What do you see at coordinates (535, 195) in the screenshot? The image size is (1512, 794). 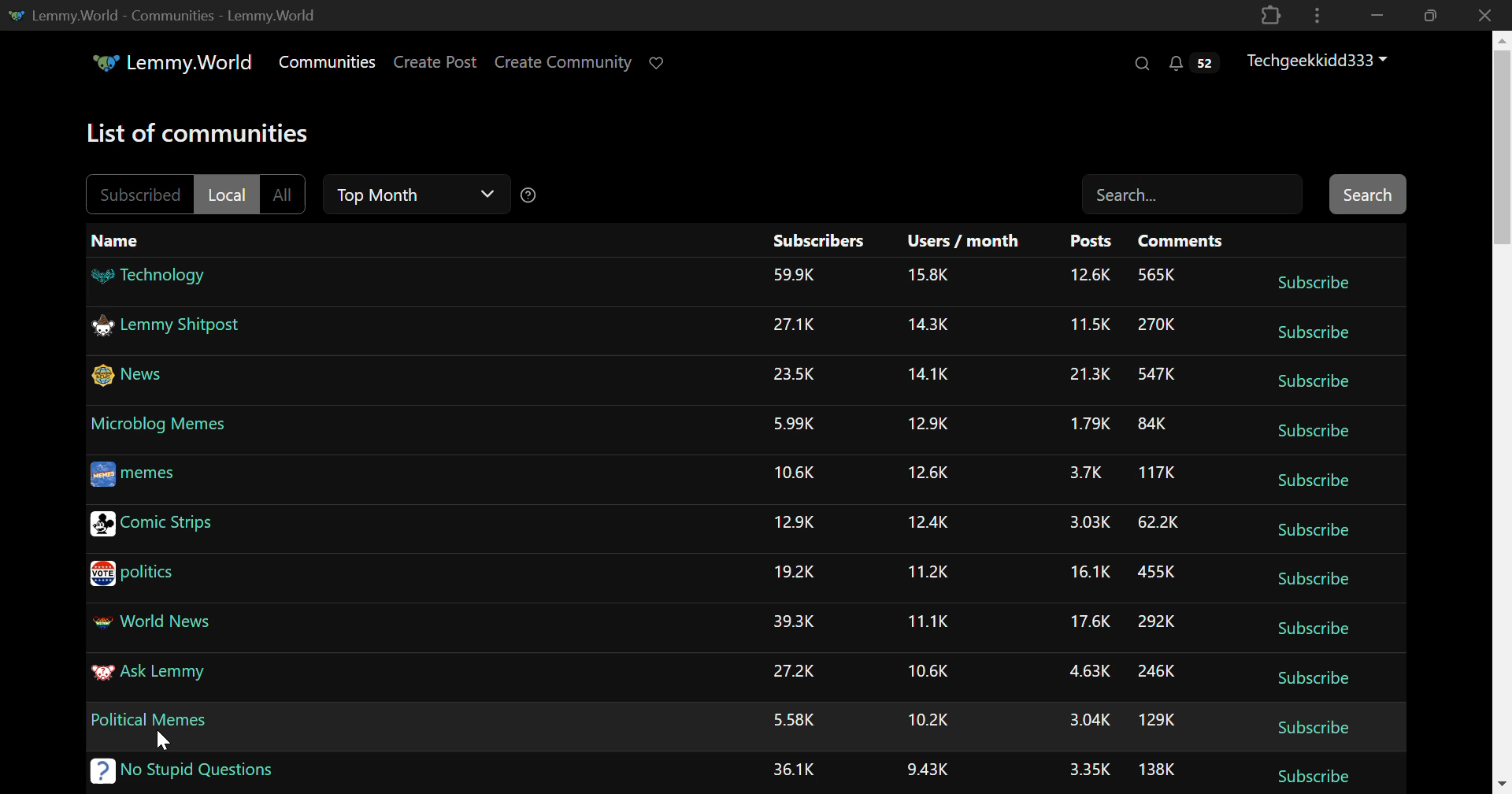 I see `Sorting Help` at bounding box center [535, 195].